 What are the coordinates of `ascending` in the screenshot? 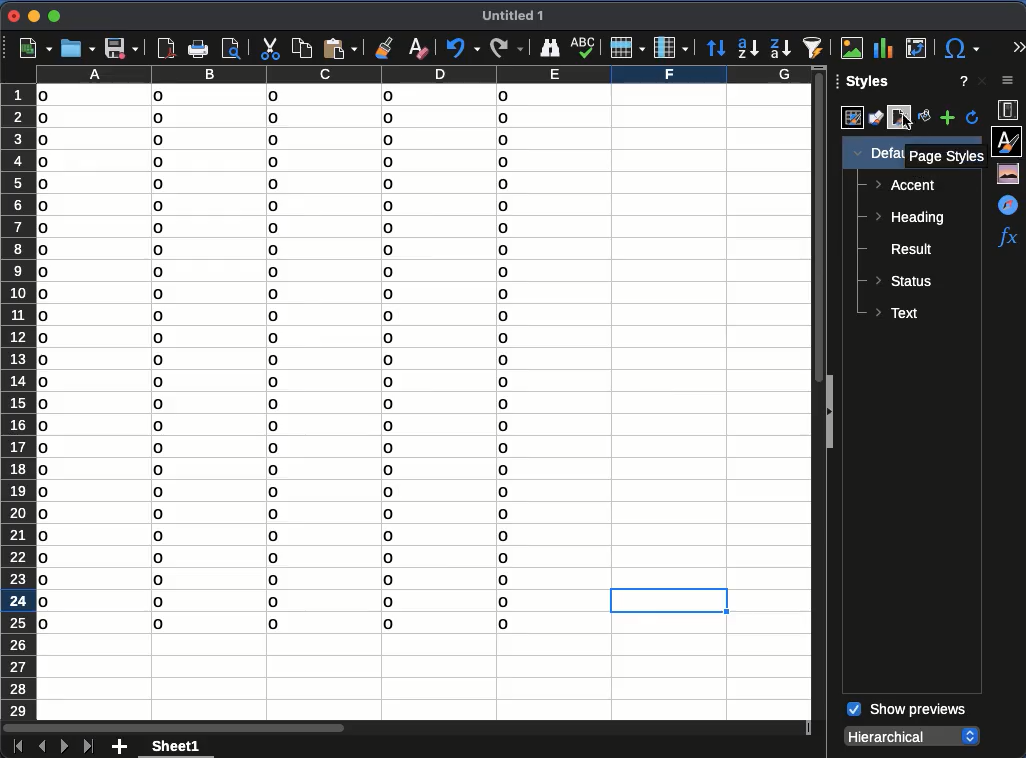 It's located at (747, 49).